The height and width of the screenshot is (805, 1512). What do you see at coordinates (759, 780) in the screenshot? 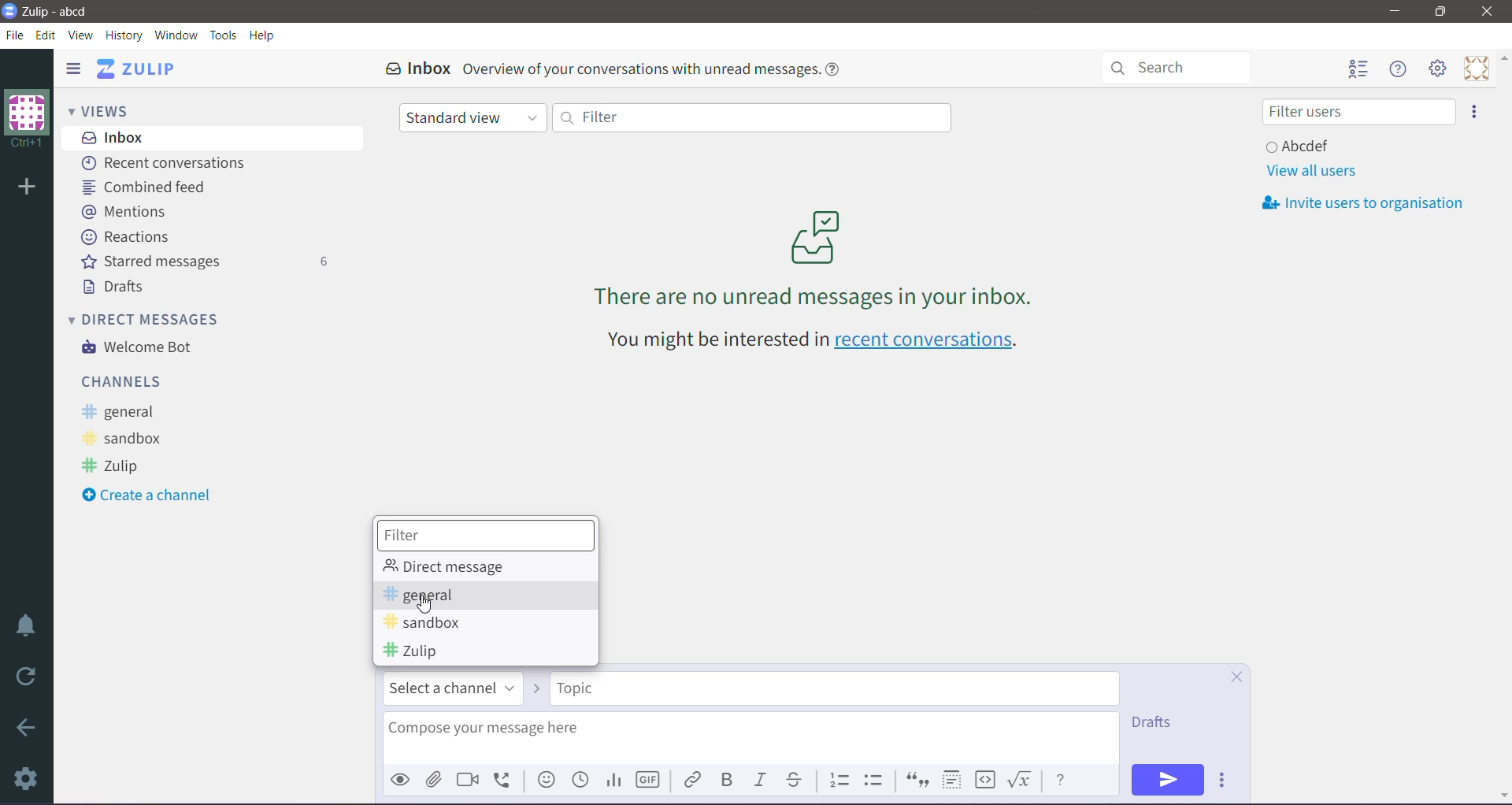
I see `Italic` at bounding box center [759, 780].